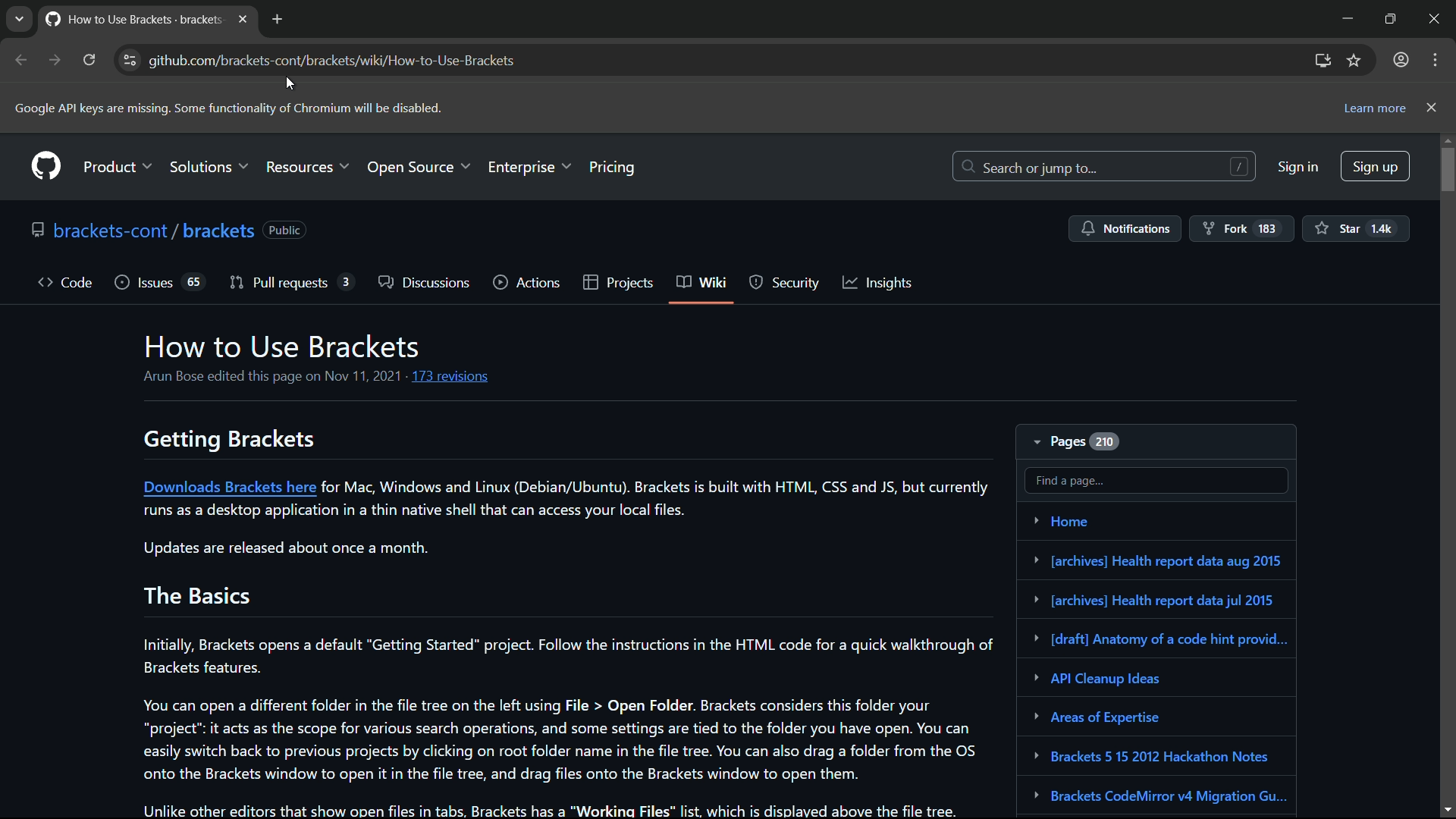  Describe the element at coordinates (315, 376) in the screenshot. I see `Arun Bose edited this page on Nov 11, 2021 - 173 revisions` at that location.